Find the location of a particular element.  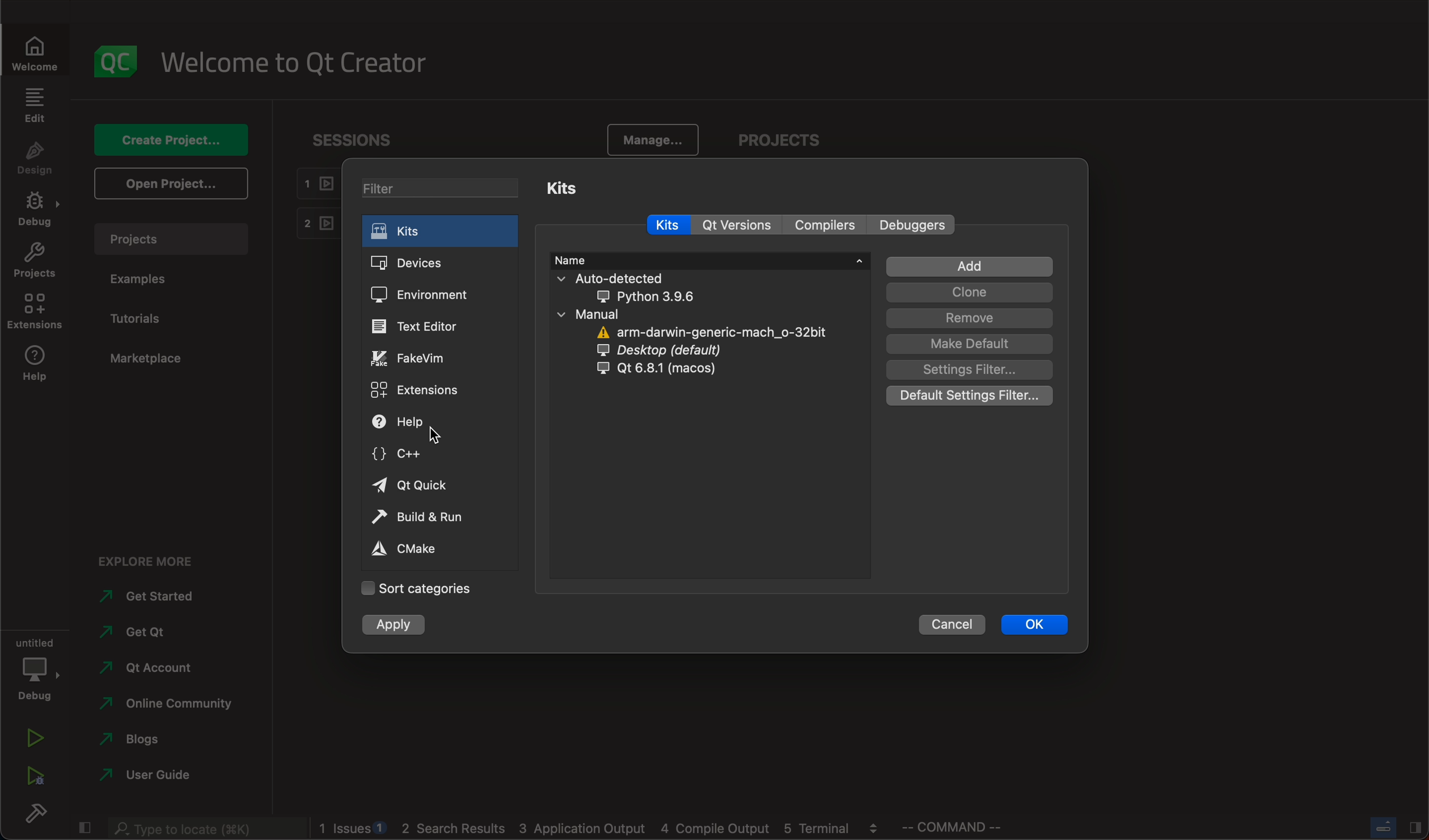

filter is located at coordinates (443, 188).